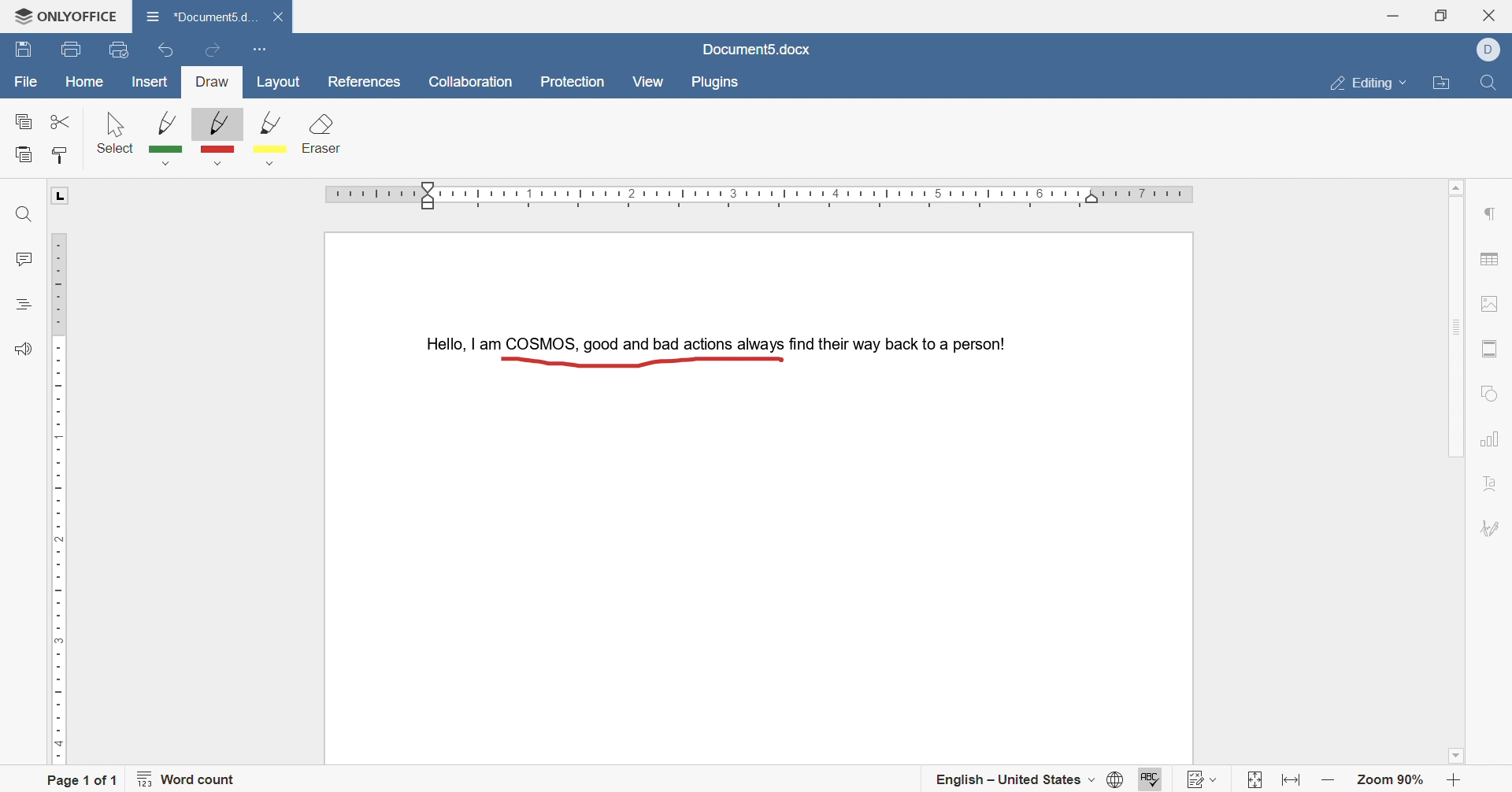 The image size is (1512, 792). Describe the element at coordinates (1329, 781) in the screenshot. I see `zoom out` at that location.